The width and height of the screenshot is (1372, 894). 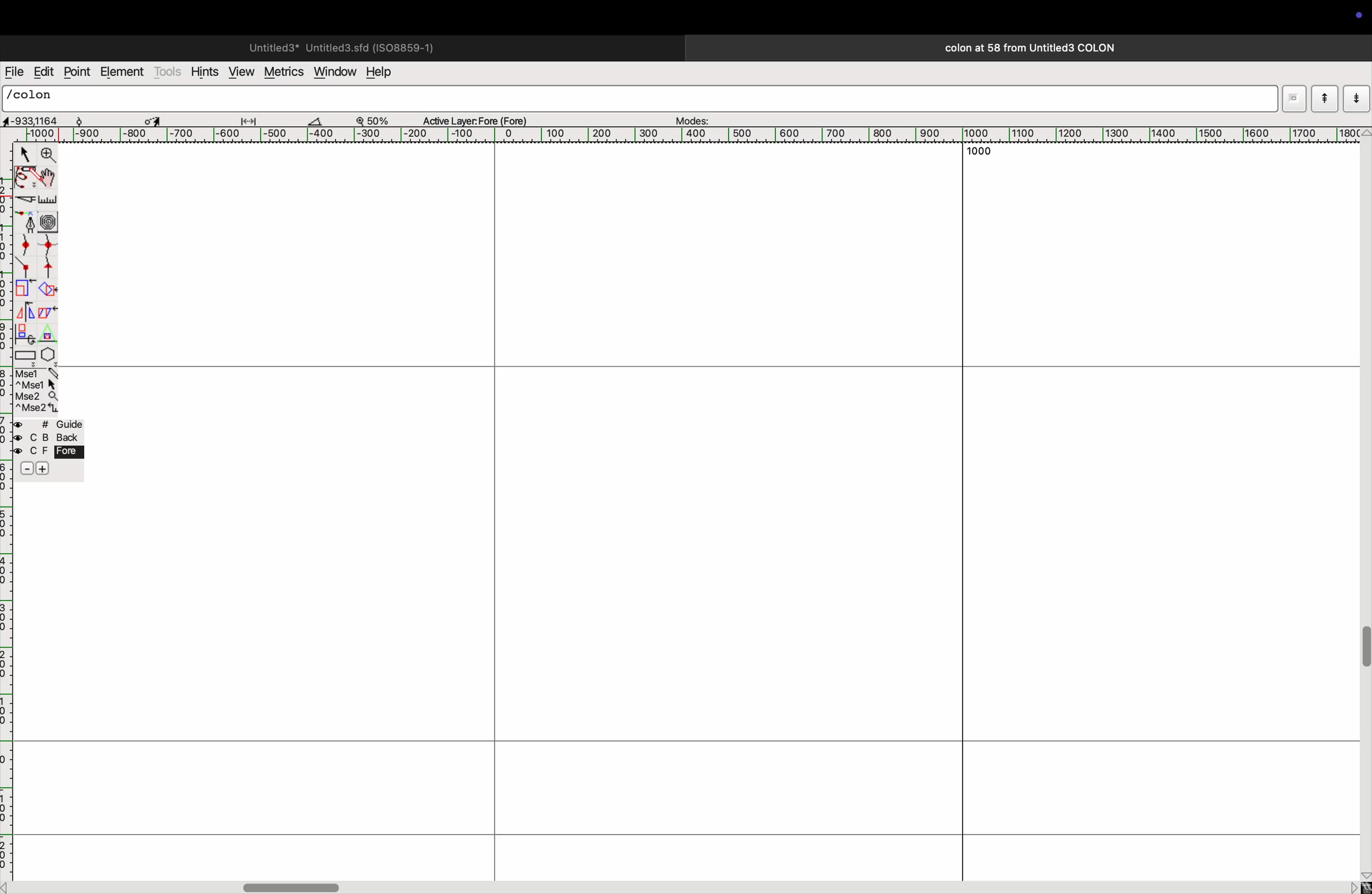 What do you see at coordinates (205, 70) in the screenshot?
I see `hints` at bounding box center [205, 70].